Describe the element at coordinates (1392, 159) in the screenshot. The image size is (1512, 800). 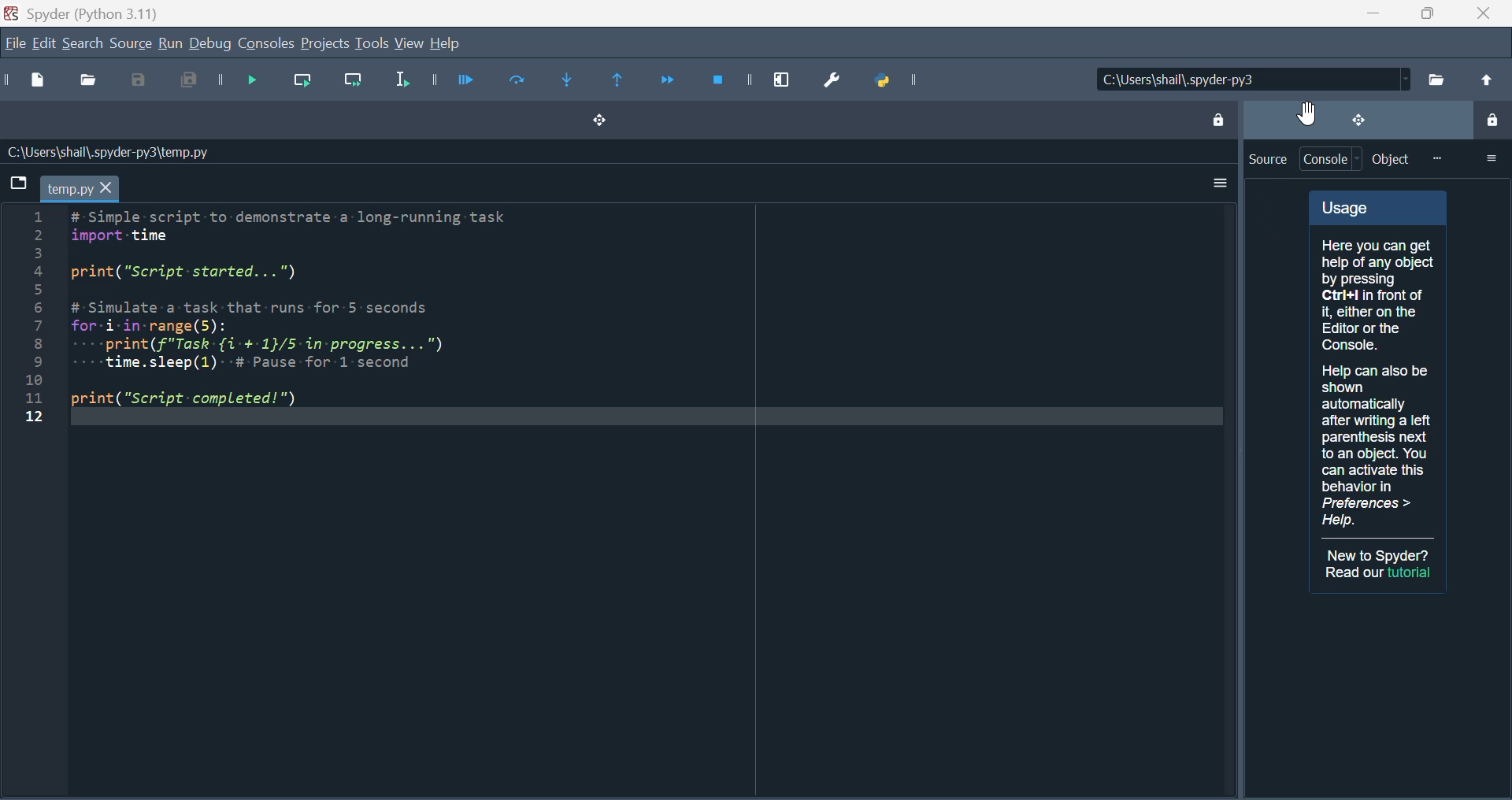
I see `Object` at that location.